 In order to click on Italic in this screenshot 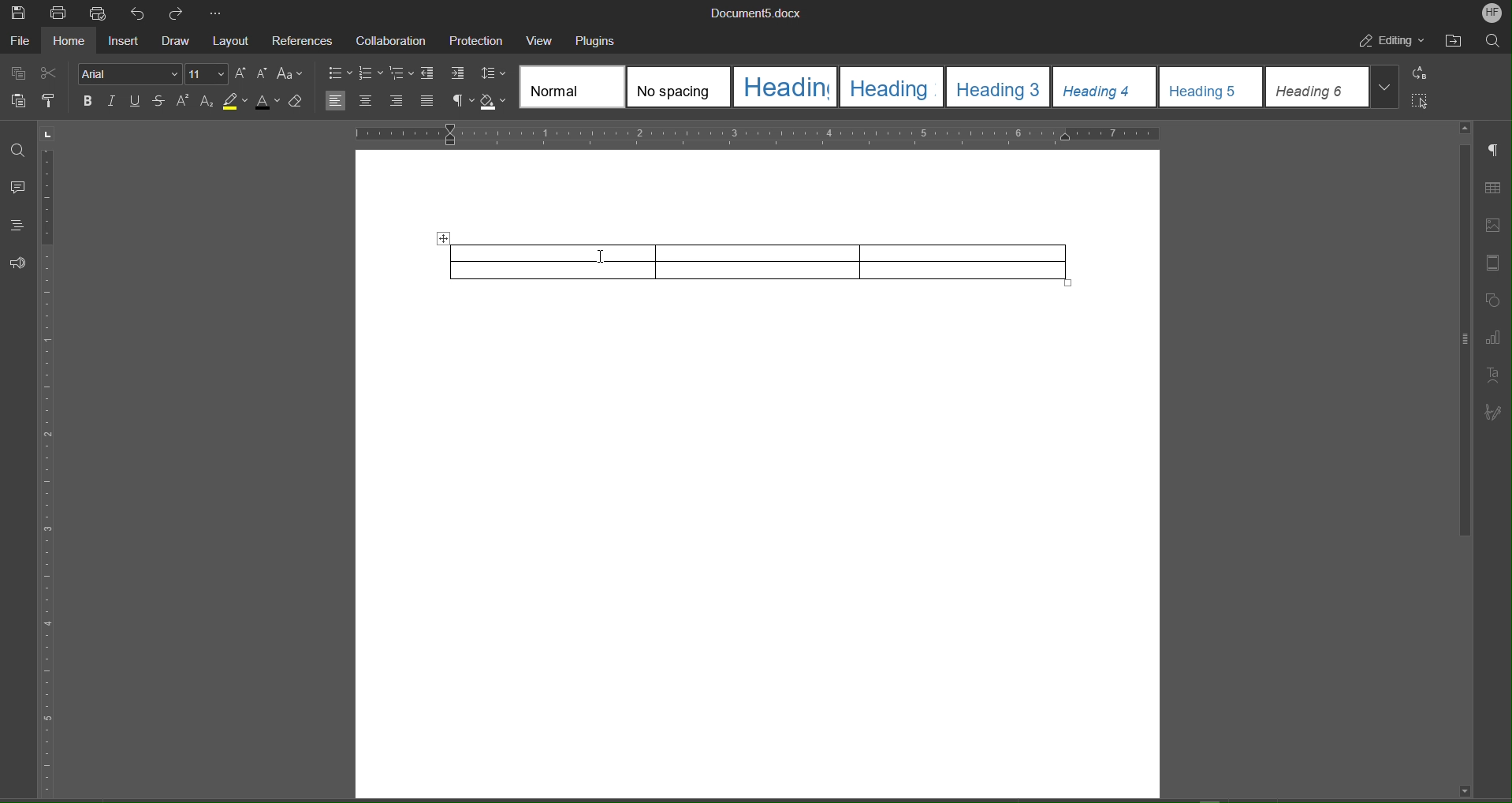, I will do `click(112, 102)`.